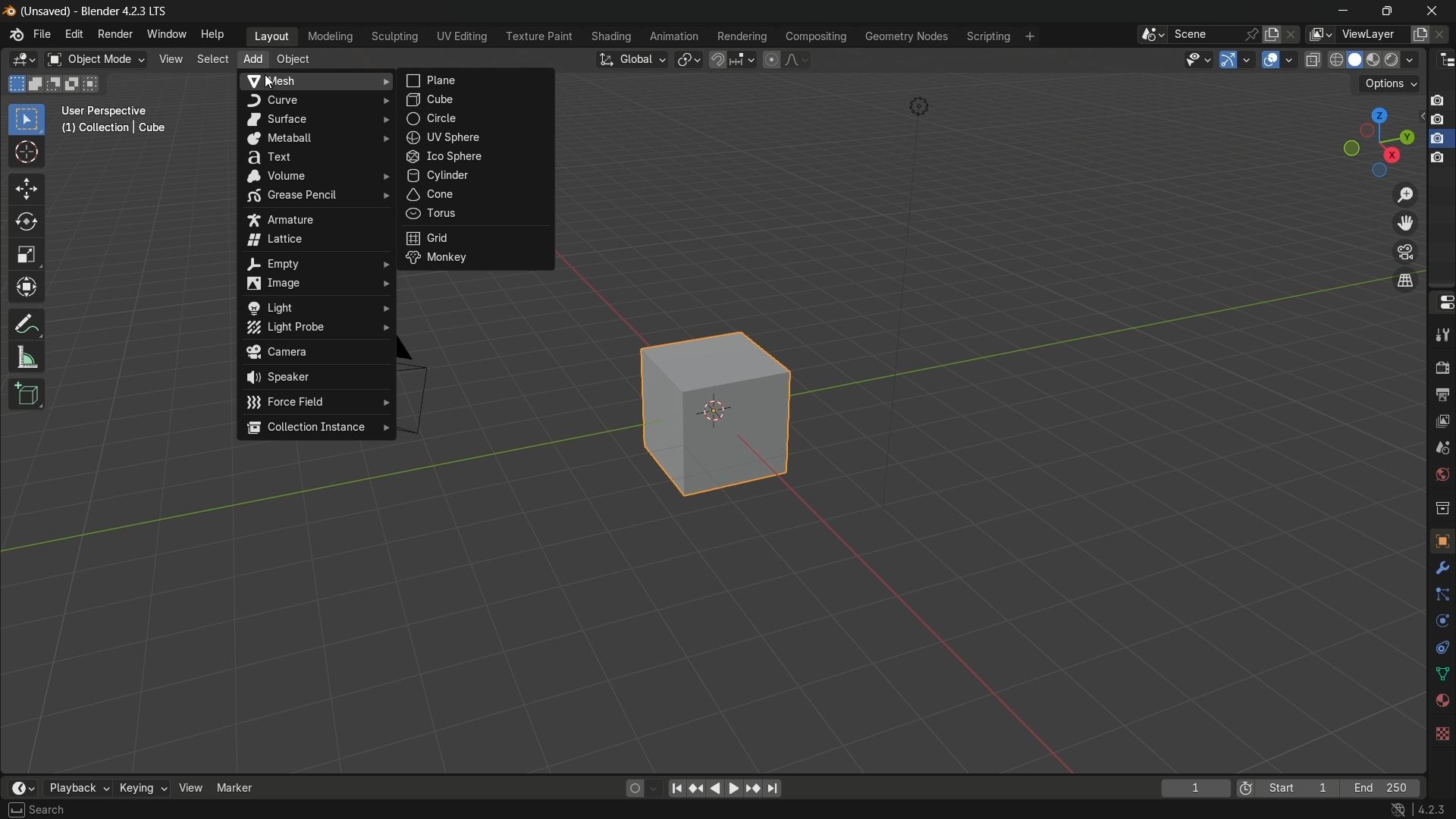 The width and height of the screenshot is (1456, 819). What do you see at coordinates (316, 403) in the screenshot?
I see `force field` at bounding box center [316, 403].